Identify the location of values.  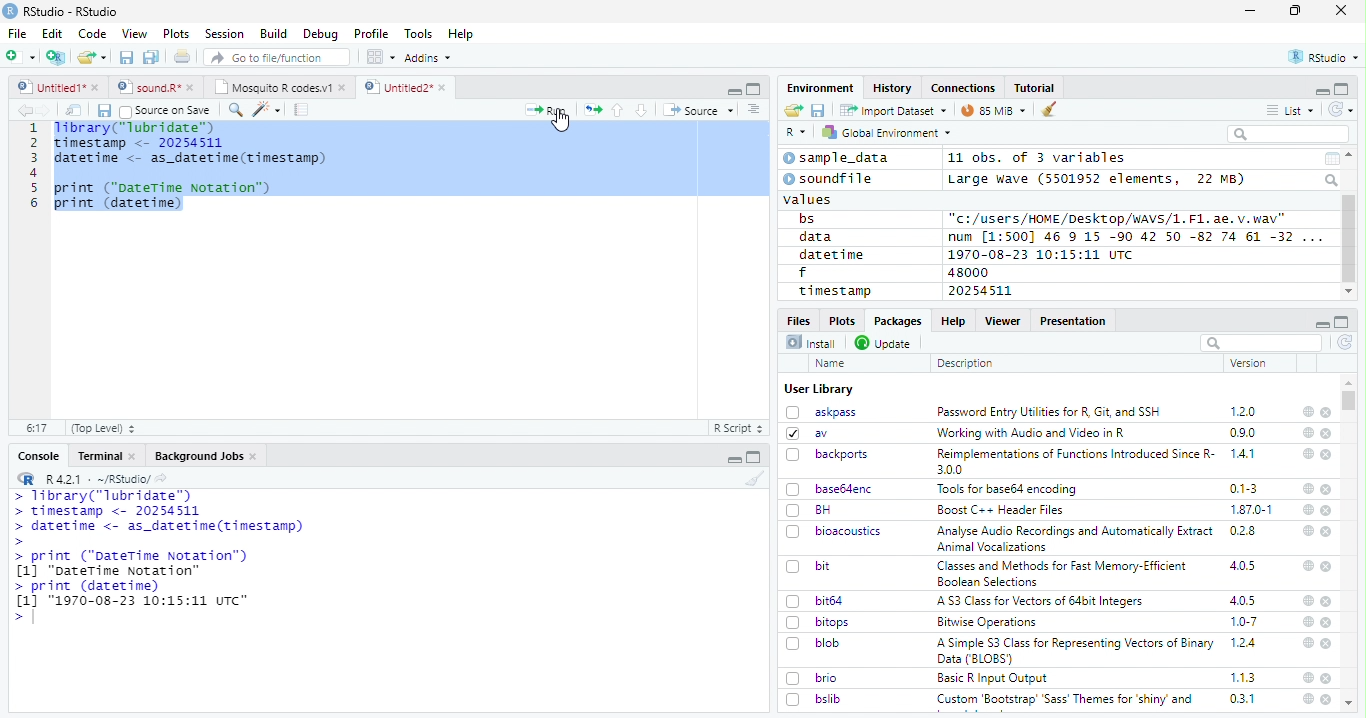
(809, 198).